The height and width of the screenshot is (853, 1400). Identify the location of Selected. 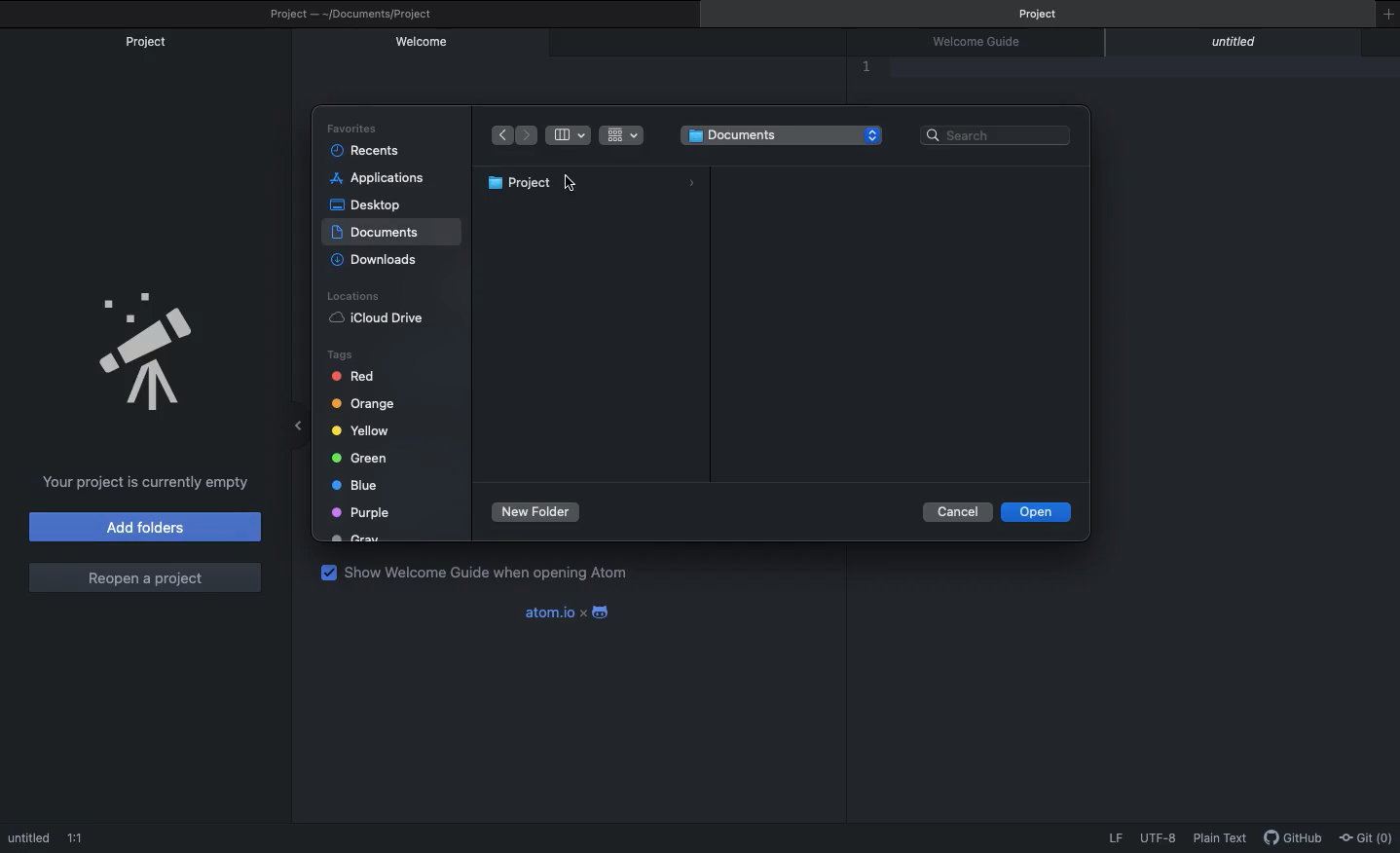
(388, 234).